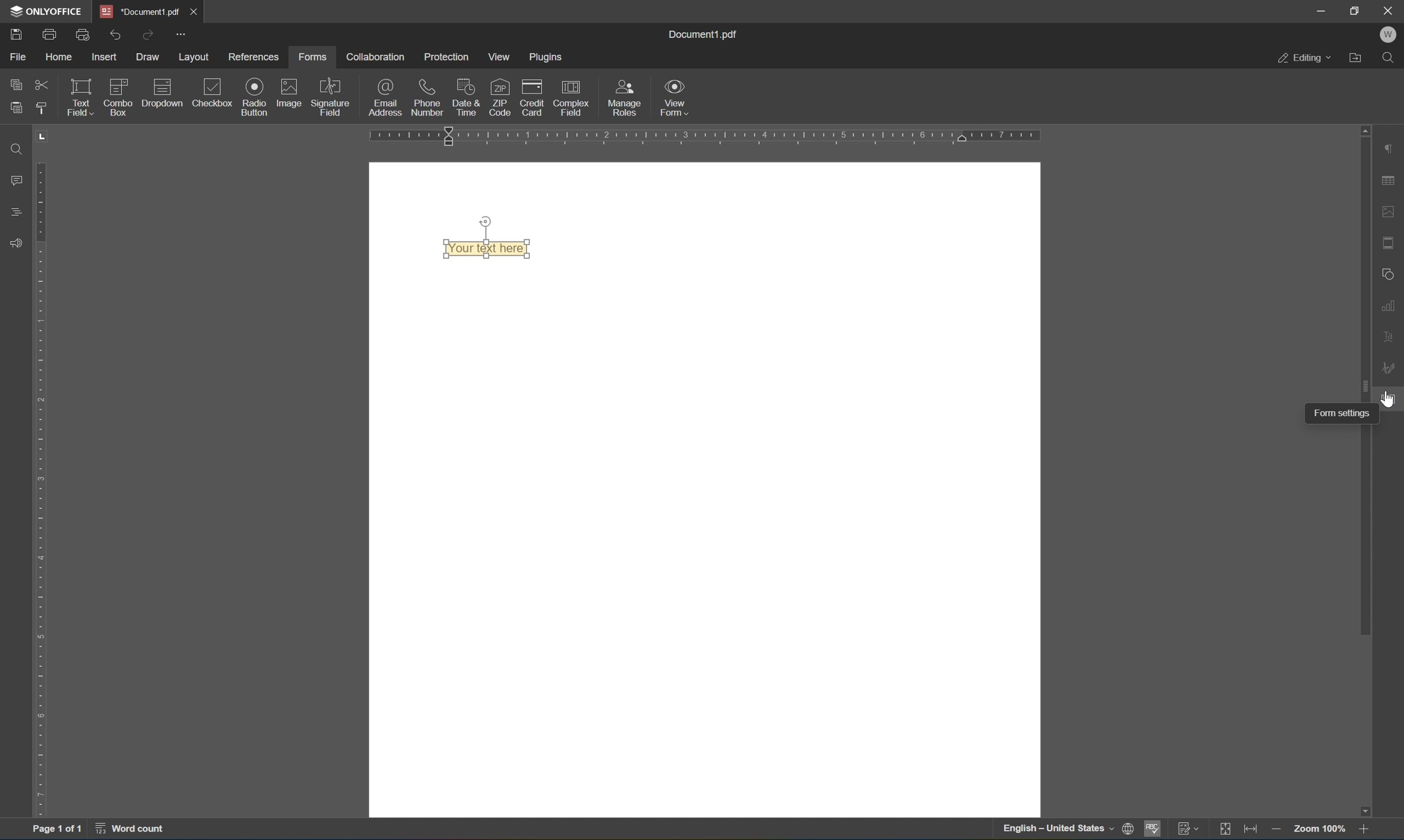  I want to click on cut, so click(42, 86).